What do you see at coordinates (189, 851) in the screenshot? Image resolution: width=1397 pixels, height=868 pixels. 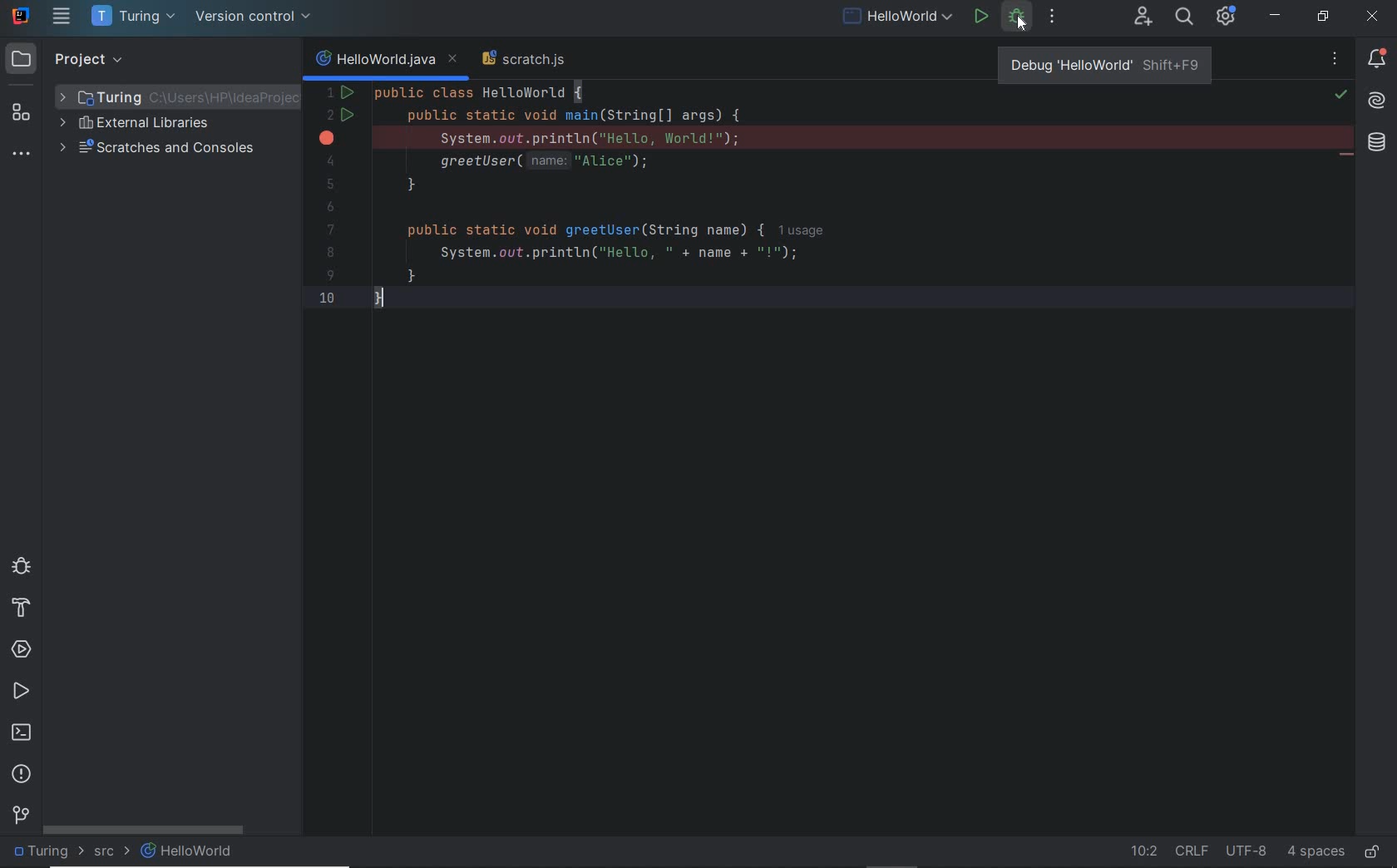 I see `file name` at bounding box center [189, 851].